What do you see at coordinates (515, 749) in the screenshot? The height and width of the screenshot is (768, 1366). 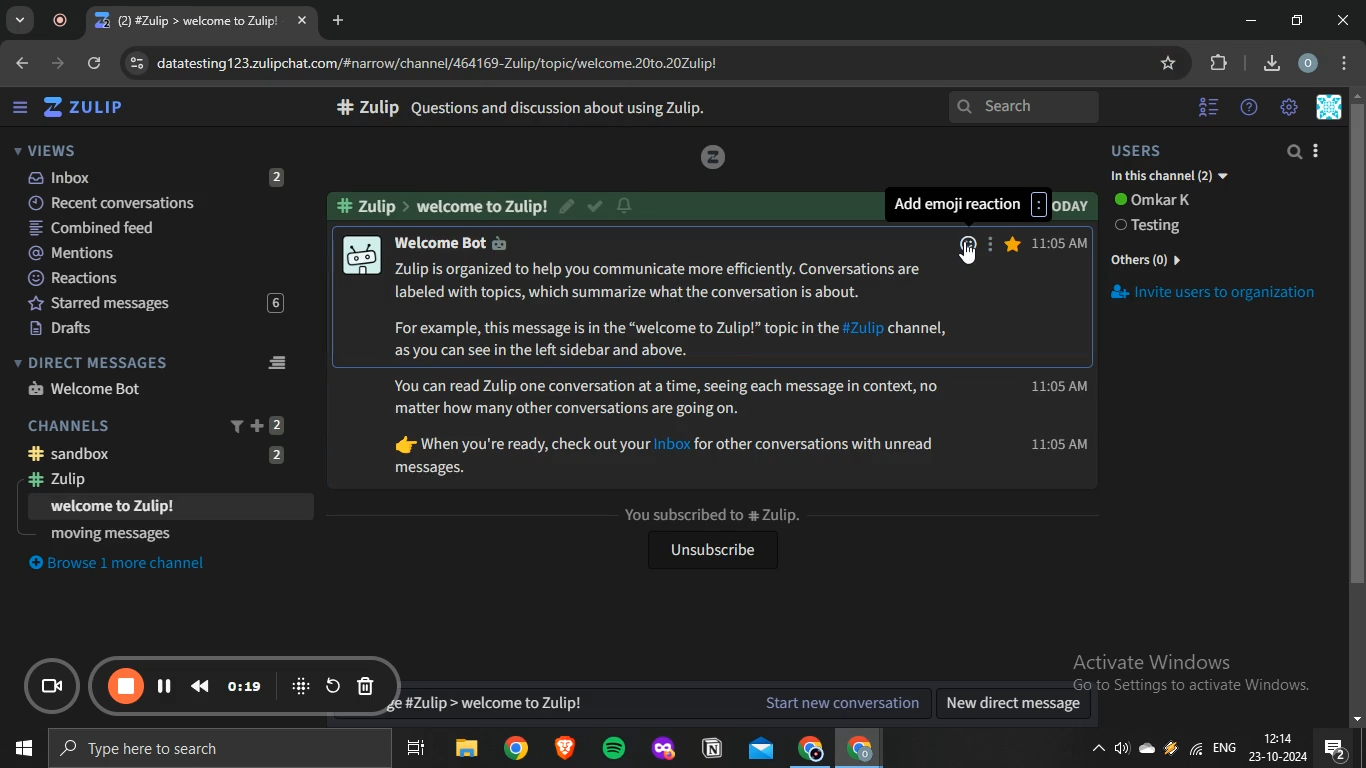 I see `google chrome` at bounding box center [515, 749].